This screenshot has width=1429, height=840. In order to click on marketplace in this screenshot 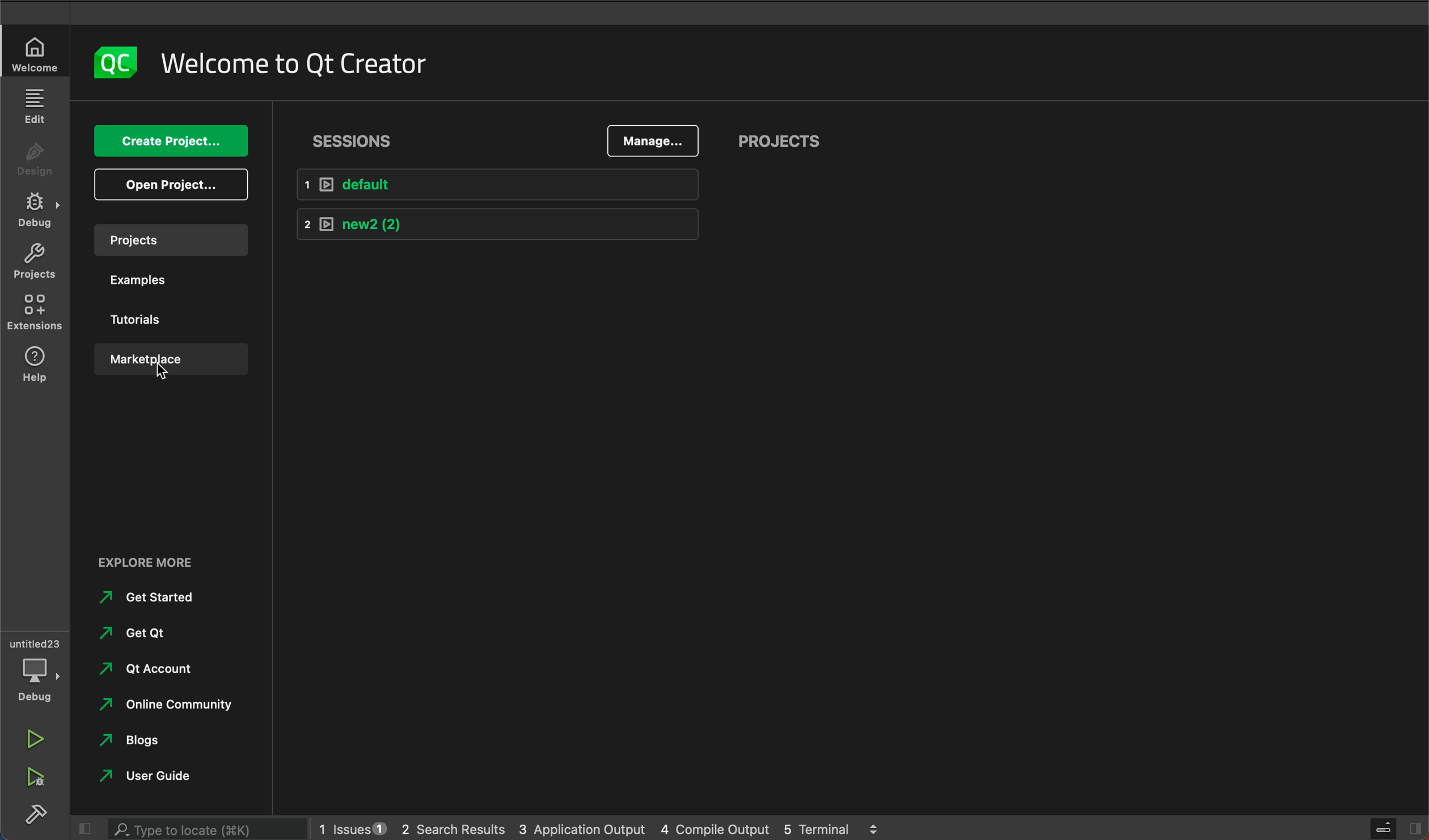, I will do `click(167, 359)`.